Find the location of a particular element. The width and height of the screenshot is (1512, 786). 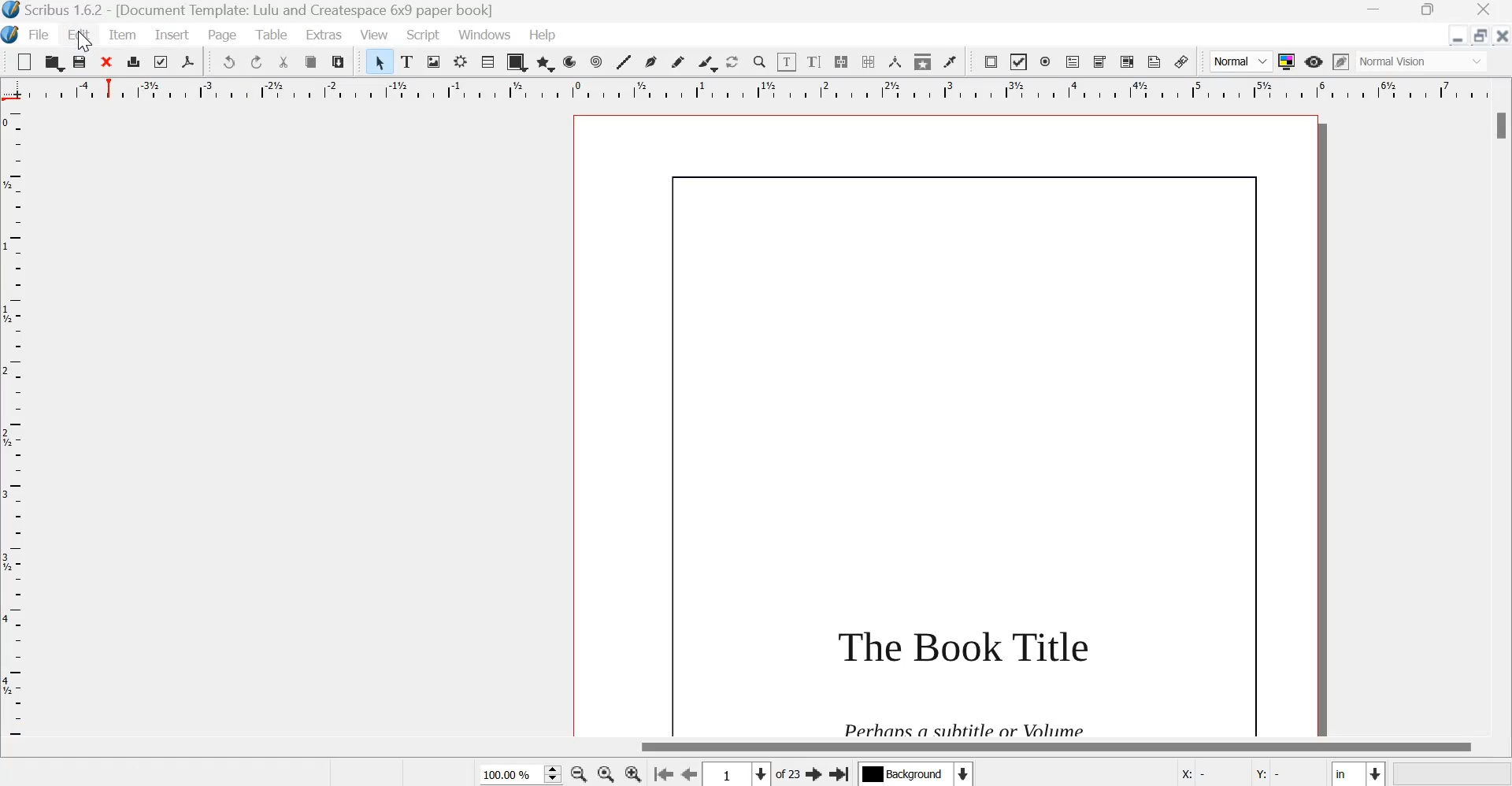

Link text frames is located at coordinates (839, 61).